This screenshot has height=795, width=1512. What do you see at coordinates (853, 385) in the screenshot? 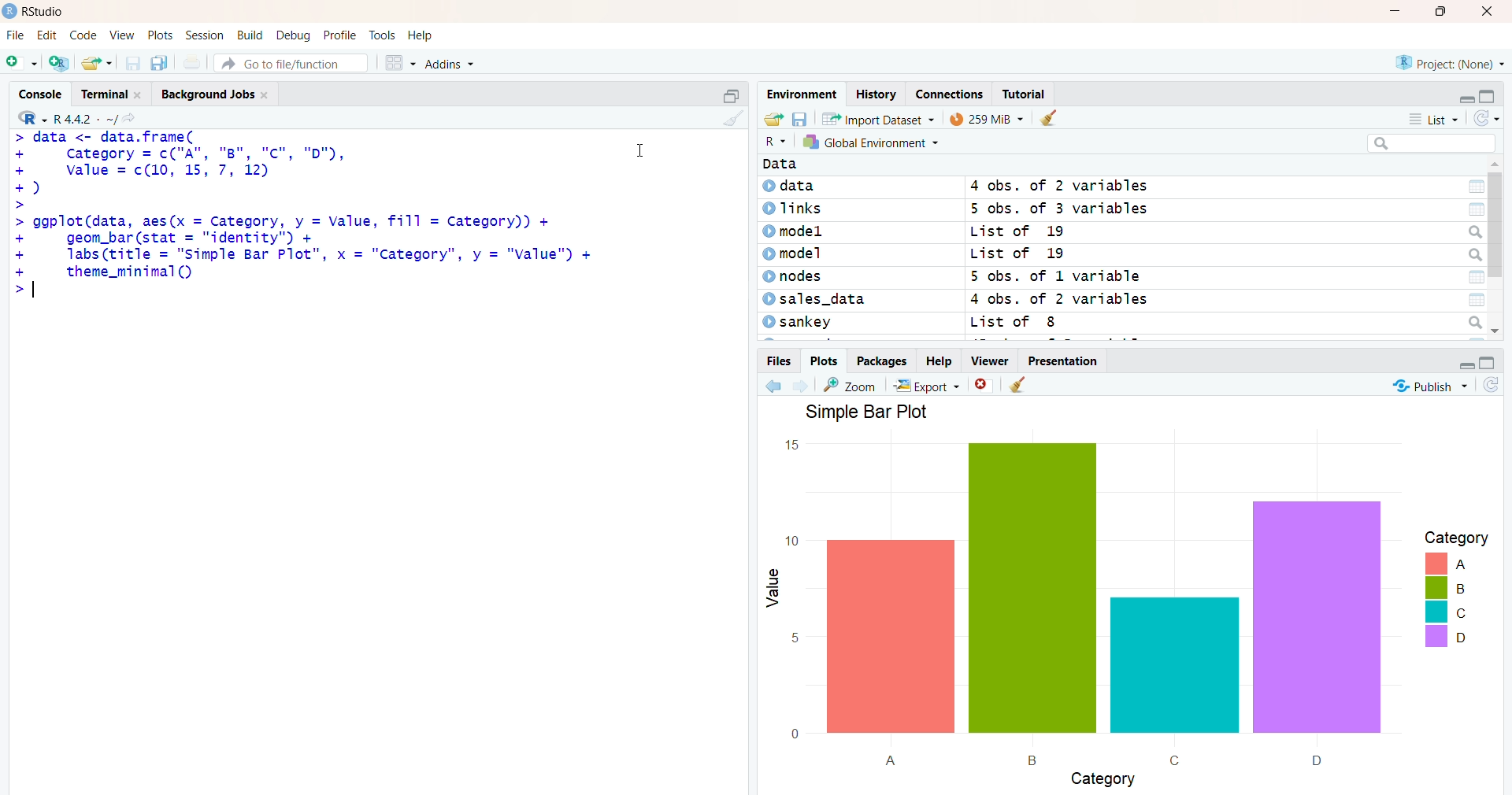
I see `Zoom` at bounding box center [853, 385].